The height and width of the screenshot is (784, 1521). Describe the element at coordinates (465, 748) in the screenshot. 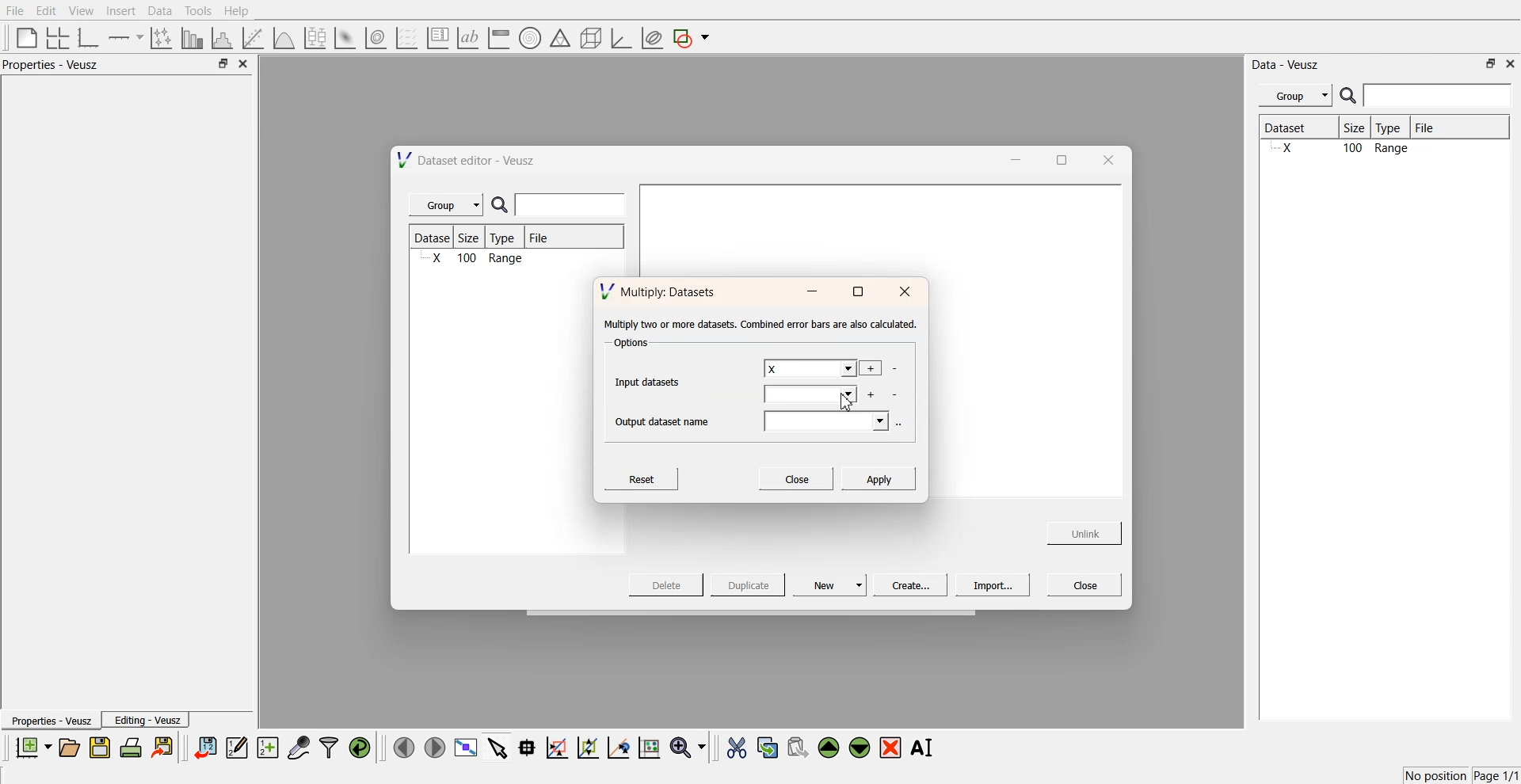

I see `view plot full screen` at that location.